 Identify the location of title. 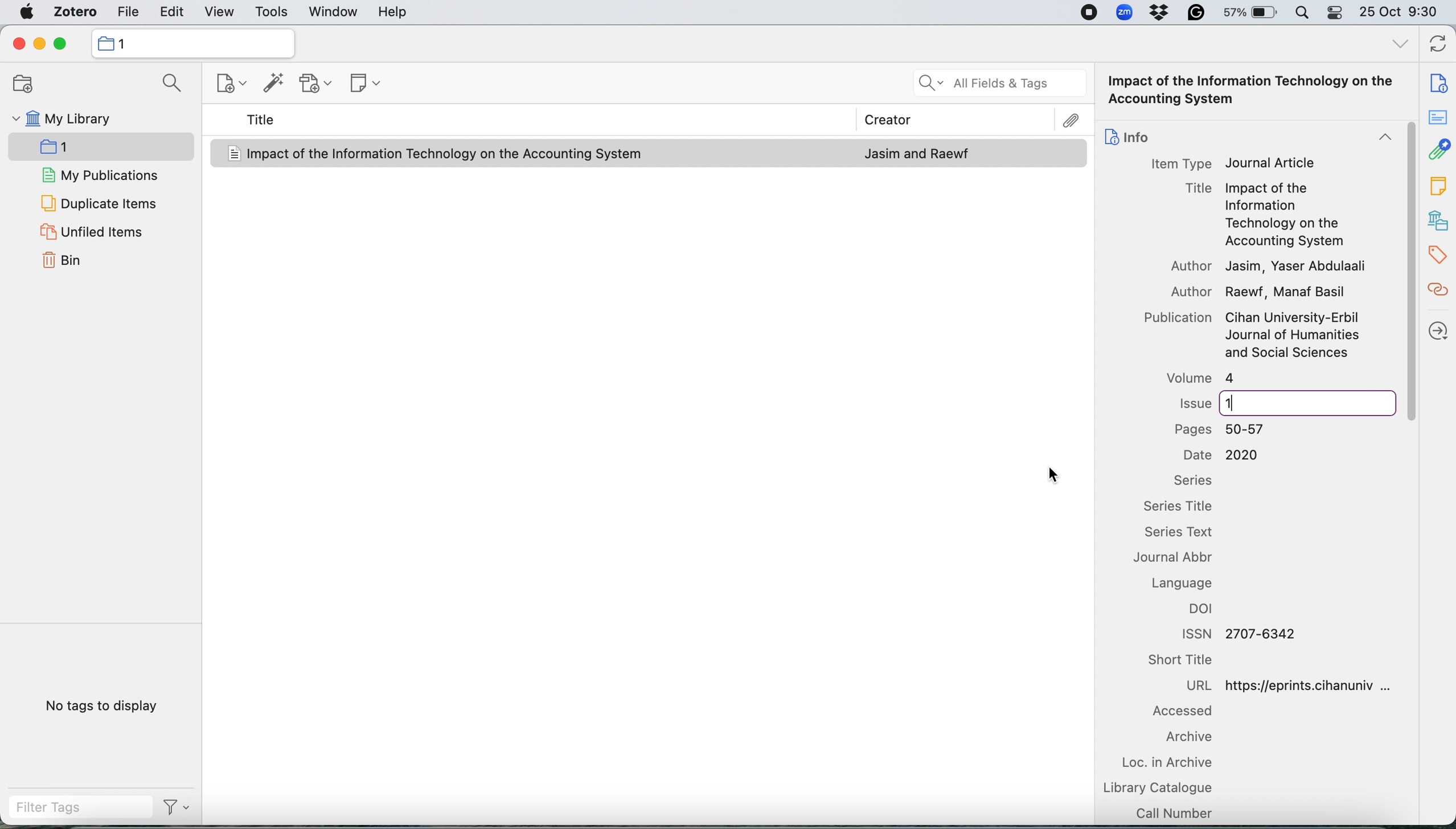
(263, 120).